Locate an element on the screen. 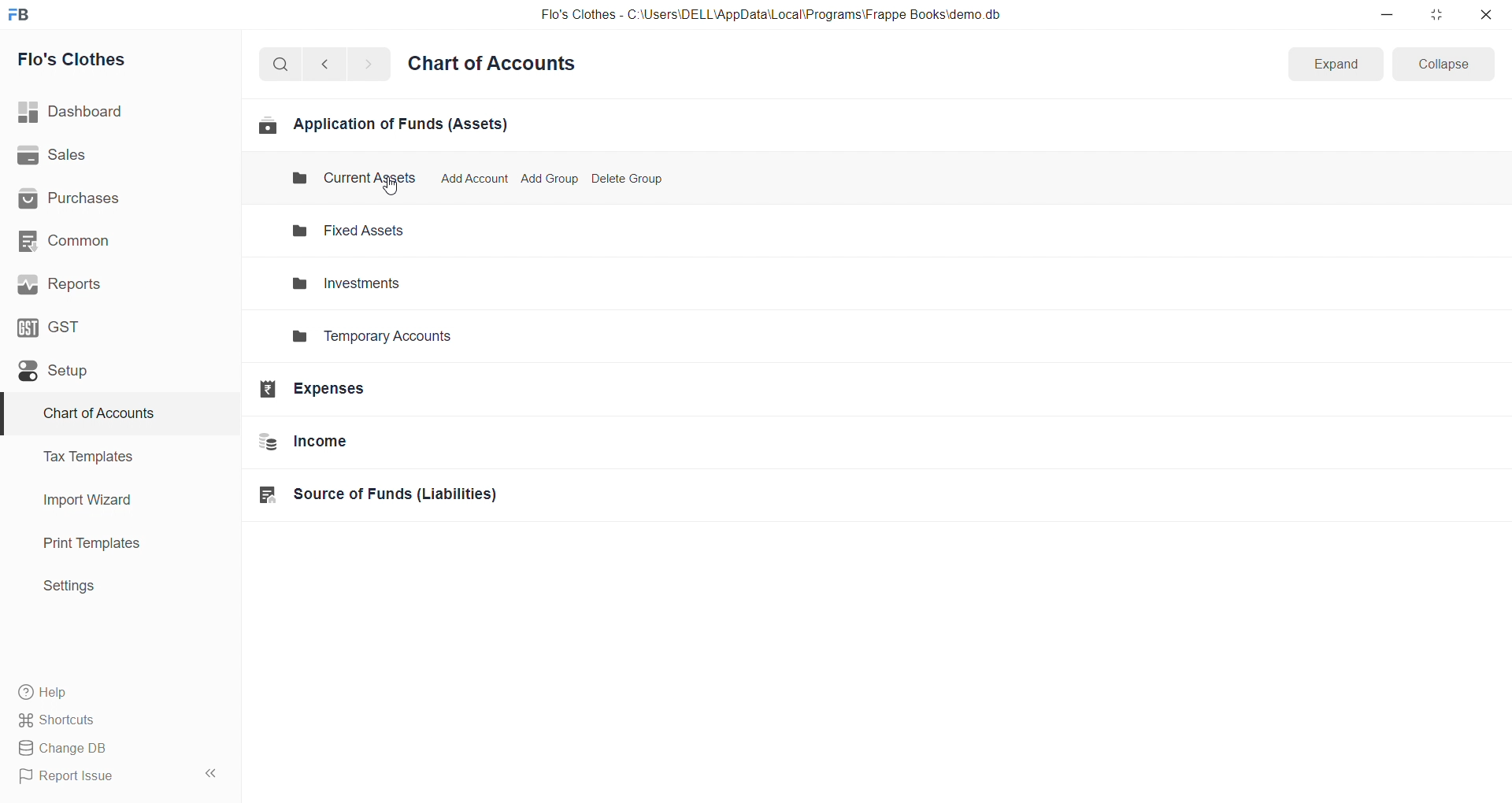 The width and height of the screenshot is (1512, 803). Reports is located at coordinates (113, 284).